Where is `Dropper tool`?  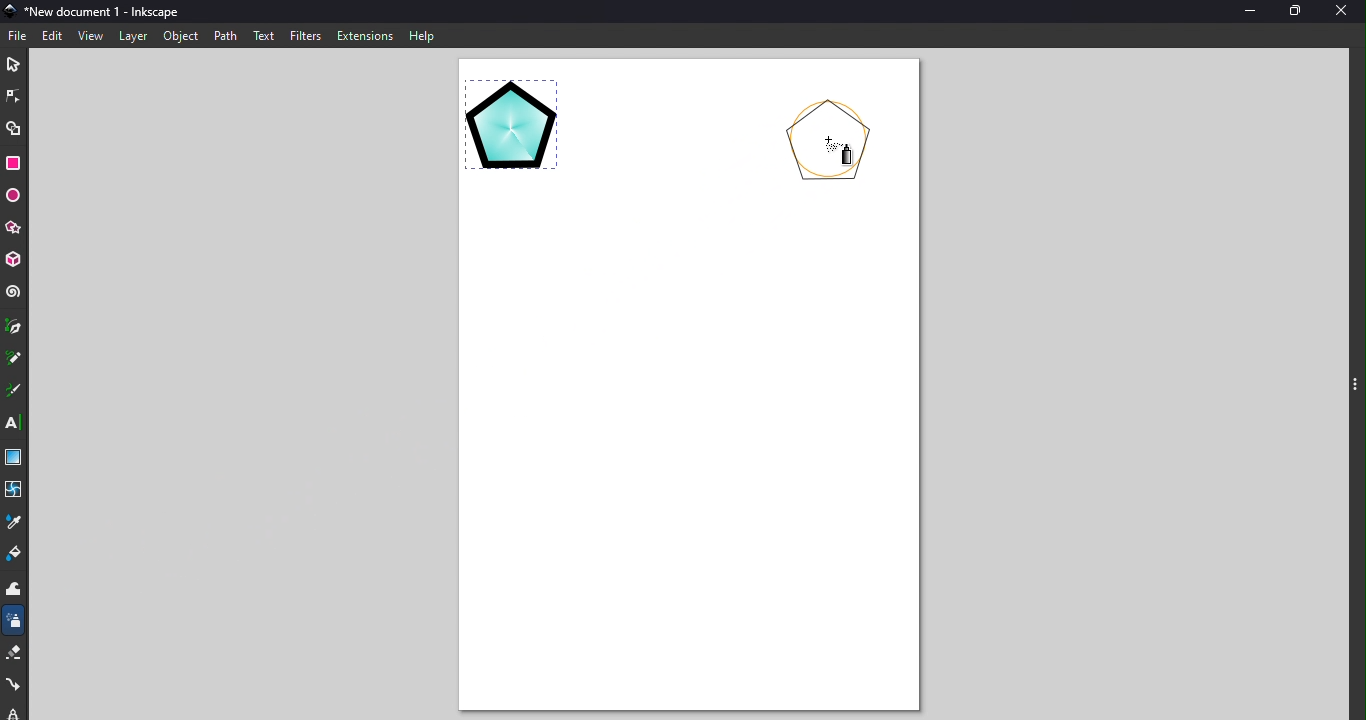 Dropper tool is located at coordinates (17, 521).